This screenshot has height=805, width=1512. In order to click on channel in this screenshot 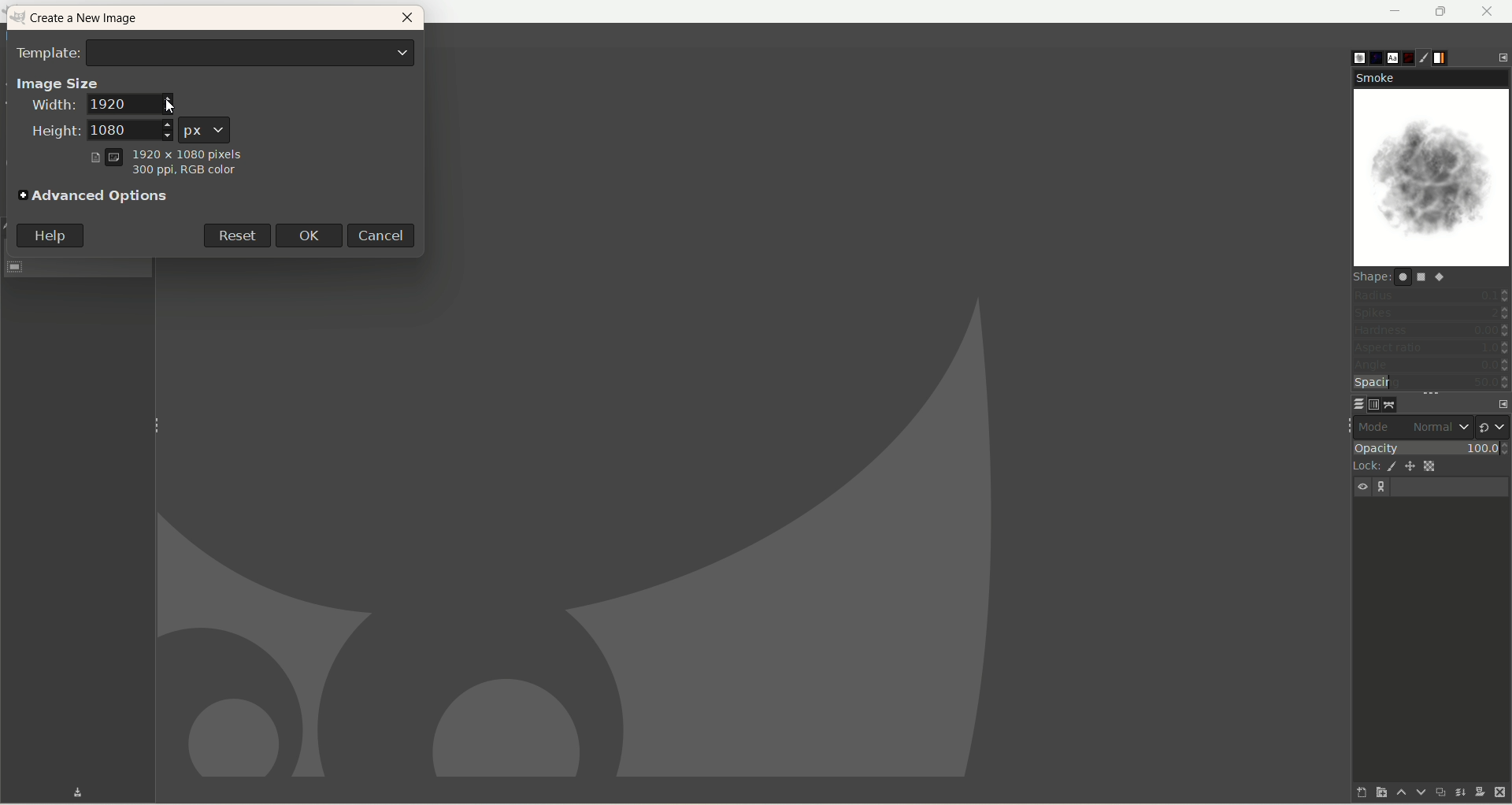, I will do `click(1370, 404)`.